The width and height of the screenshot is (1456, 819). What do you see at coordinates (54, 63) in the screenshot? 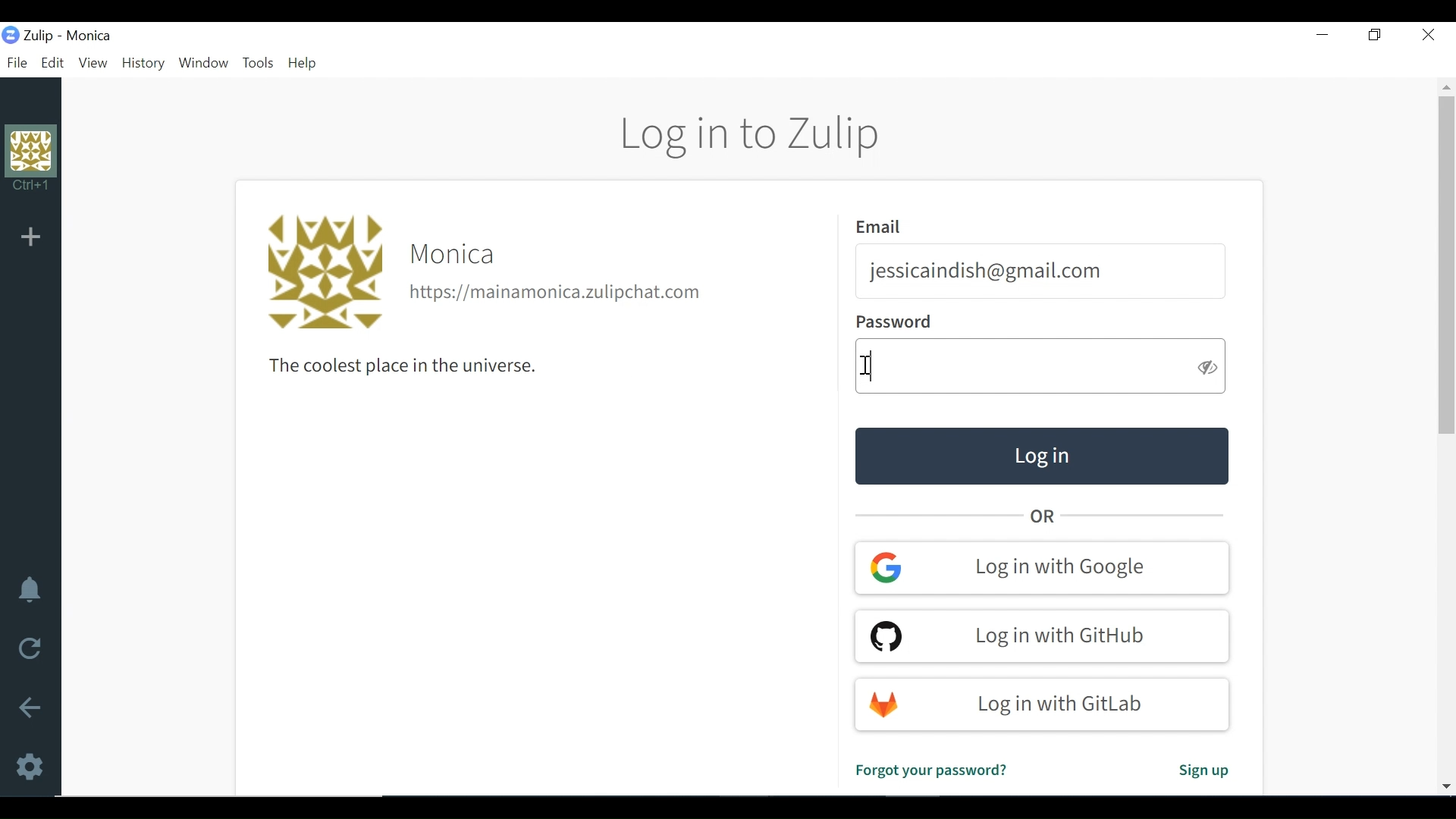
I see `Edit` at bounding box center [54, 63].